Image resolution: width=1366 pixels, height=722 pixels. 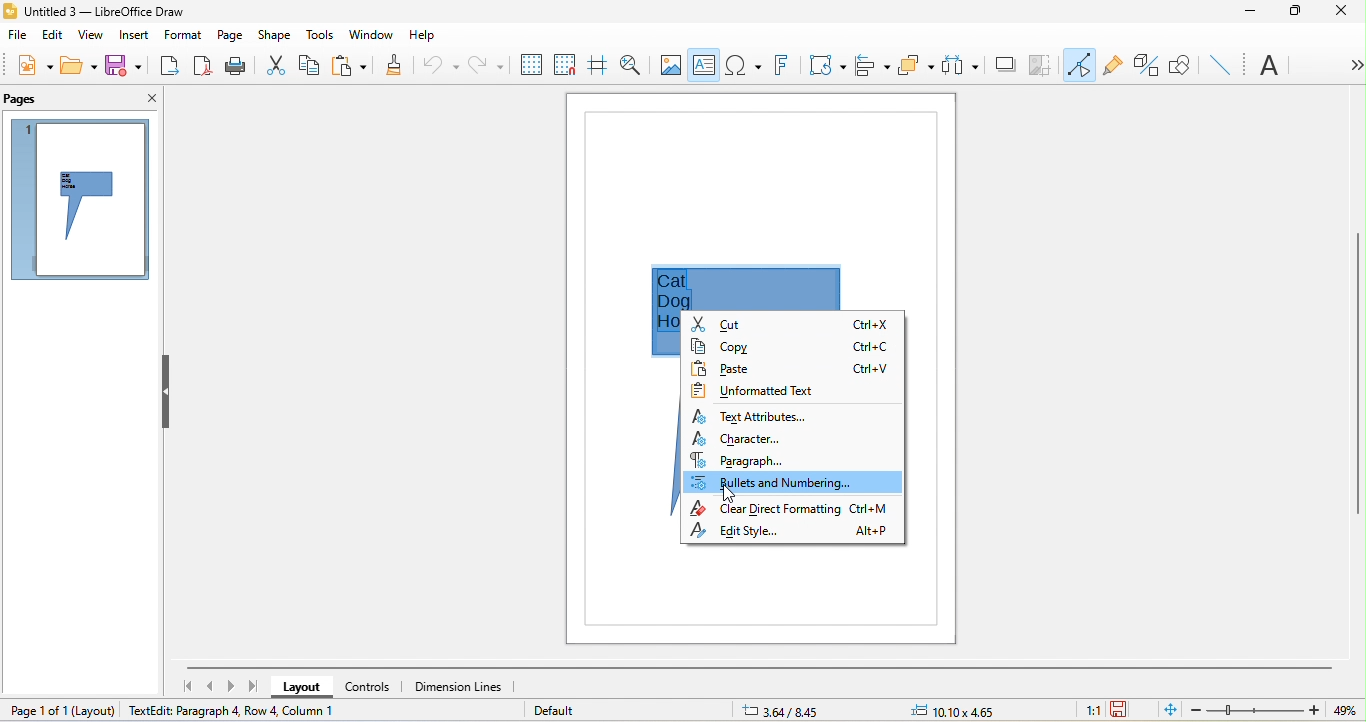 I want to click on textedit paragraph4, row 4, column 1, so click(x=254, y=714).